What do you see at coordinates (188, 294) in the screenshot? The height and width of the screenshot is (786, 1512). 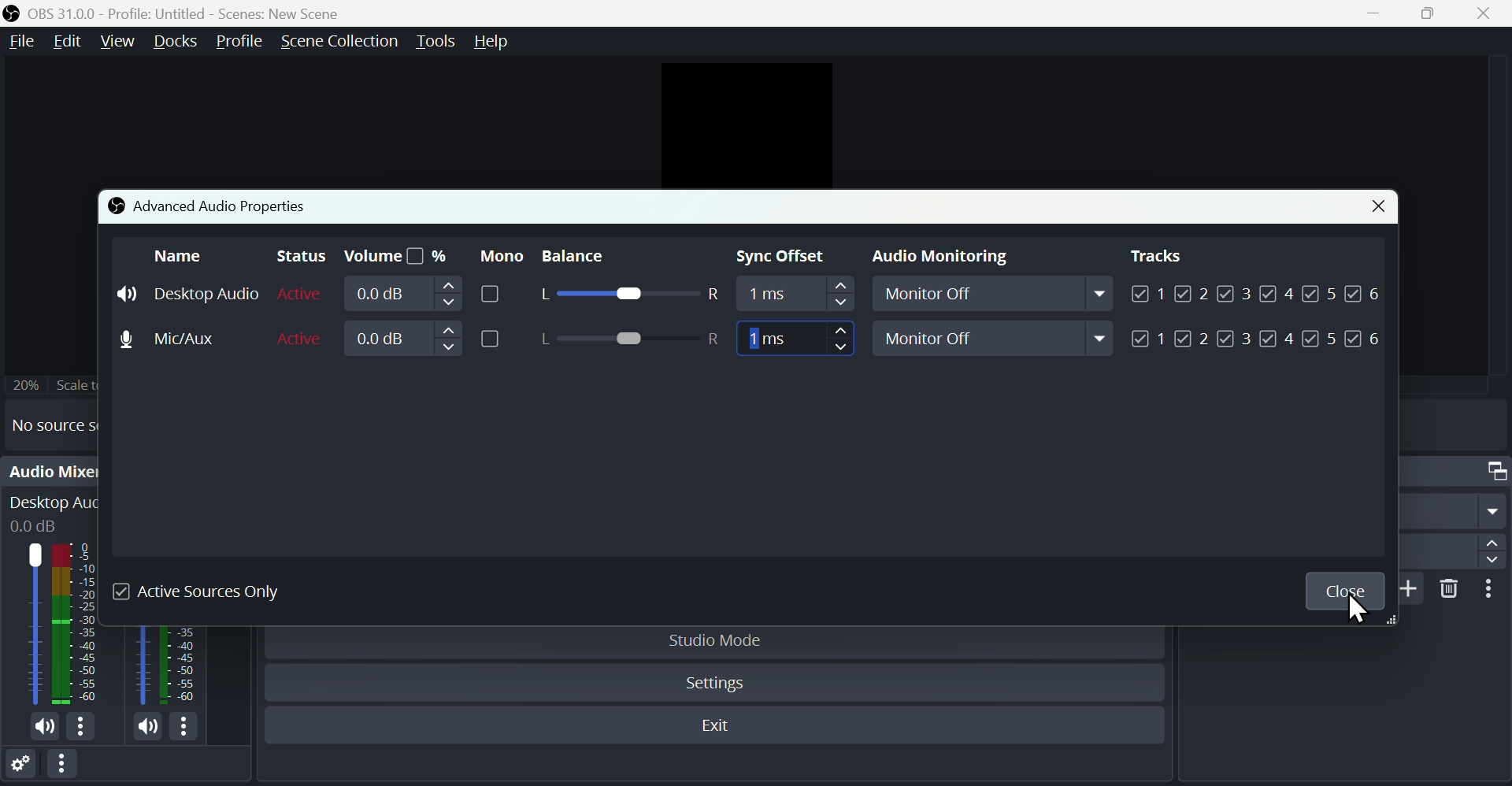 I see `Desktop audio` at bounding box center [188, 294].